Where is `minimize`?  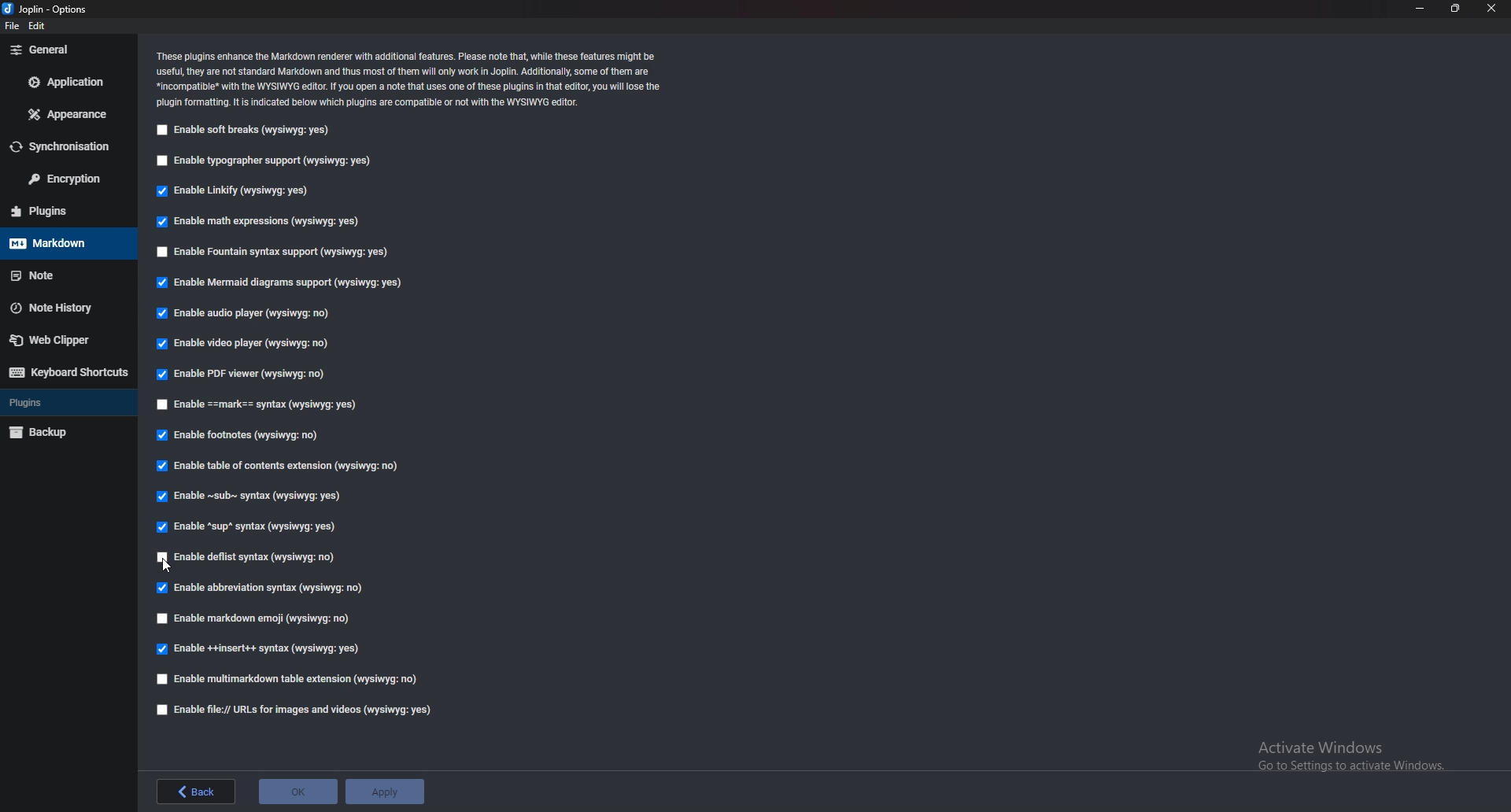
minimize is located at coordinates (1420, 8).